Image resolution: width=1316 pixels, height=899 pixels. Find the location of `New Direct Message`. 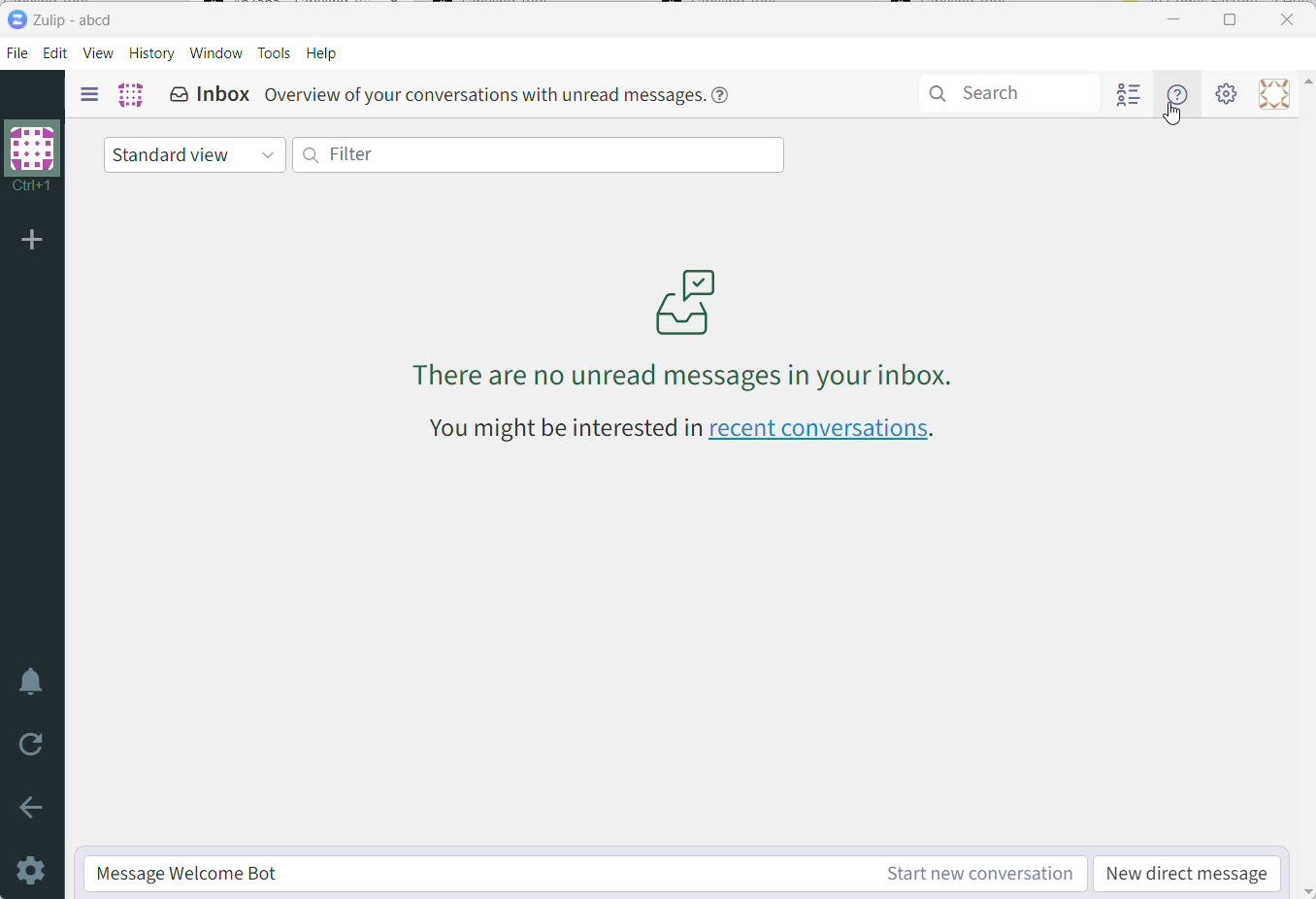

New Direct Message is located at coordinates (1188, 876).